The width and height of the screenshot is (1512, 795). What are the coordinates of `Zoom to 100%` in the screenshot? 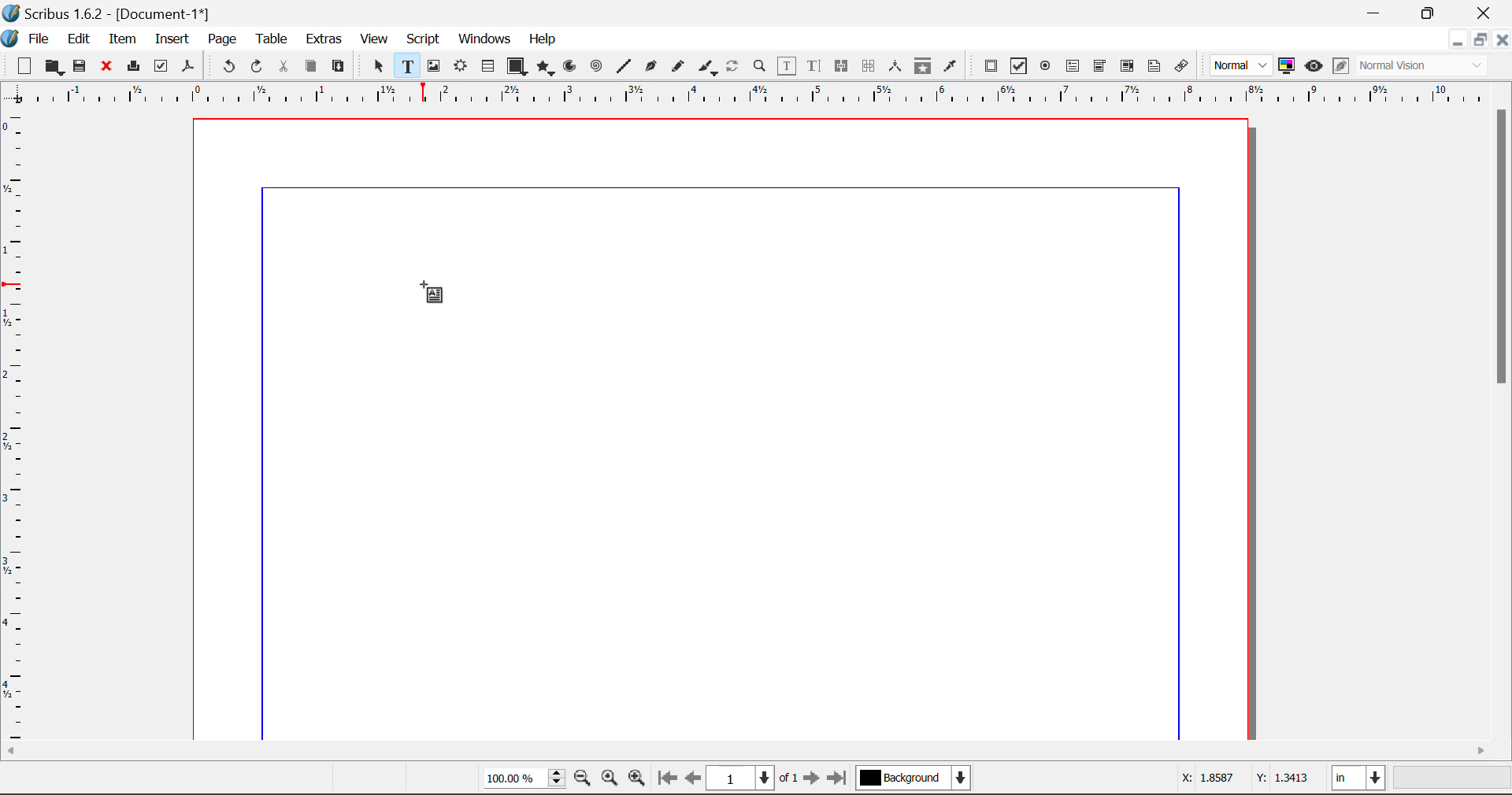 It's located at (610, 780).